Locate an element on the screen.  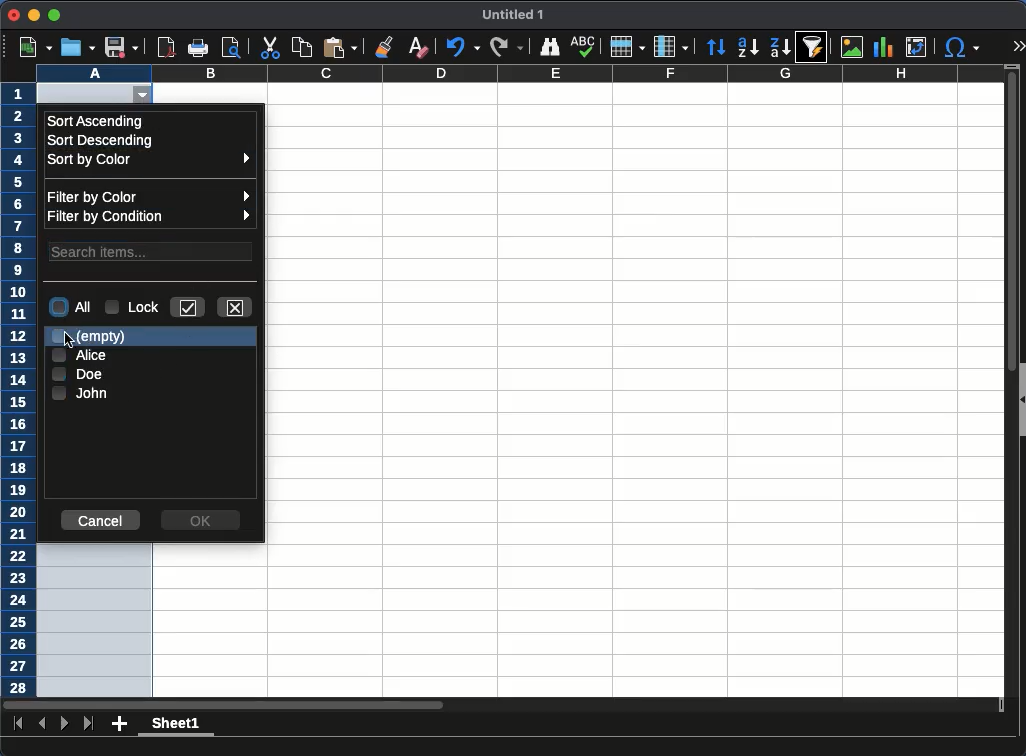
autofilter is located at coordinates (147, 96).